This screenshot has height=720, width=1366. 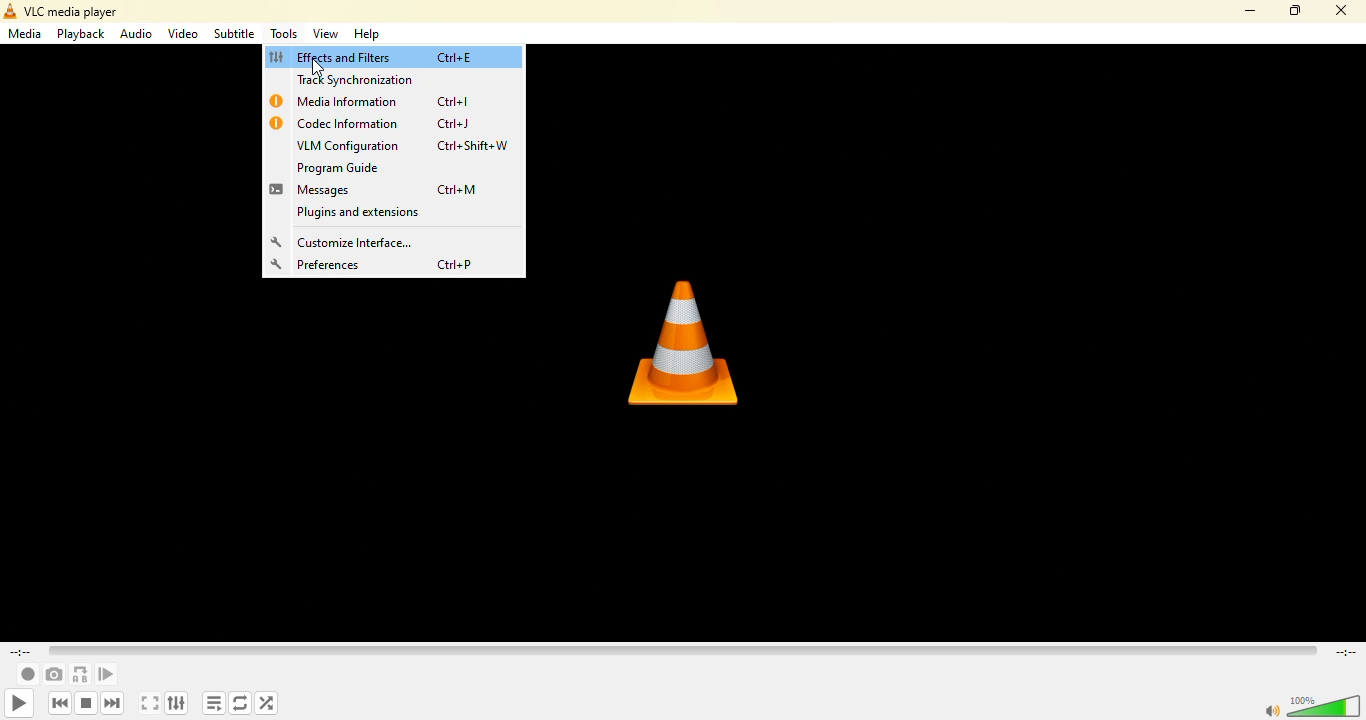 What do you see at coordinates (340, 190) in the screenshot?
I see `messages` at bounding box center [340, 190].